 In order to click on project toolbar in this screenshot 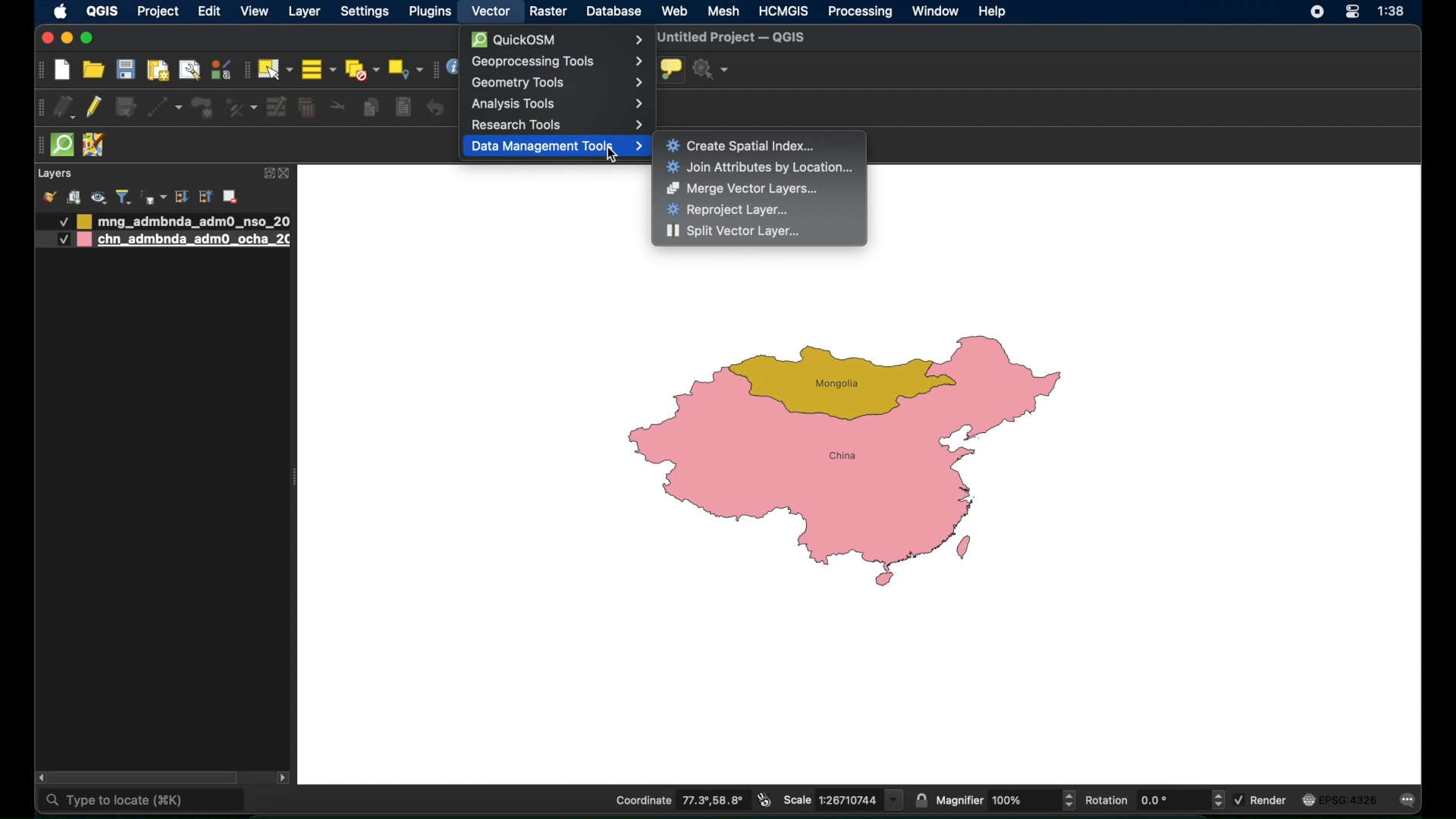, I will do `click(39, 71)`.